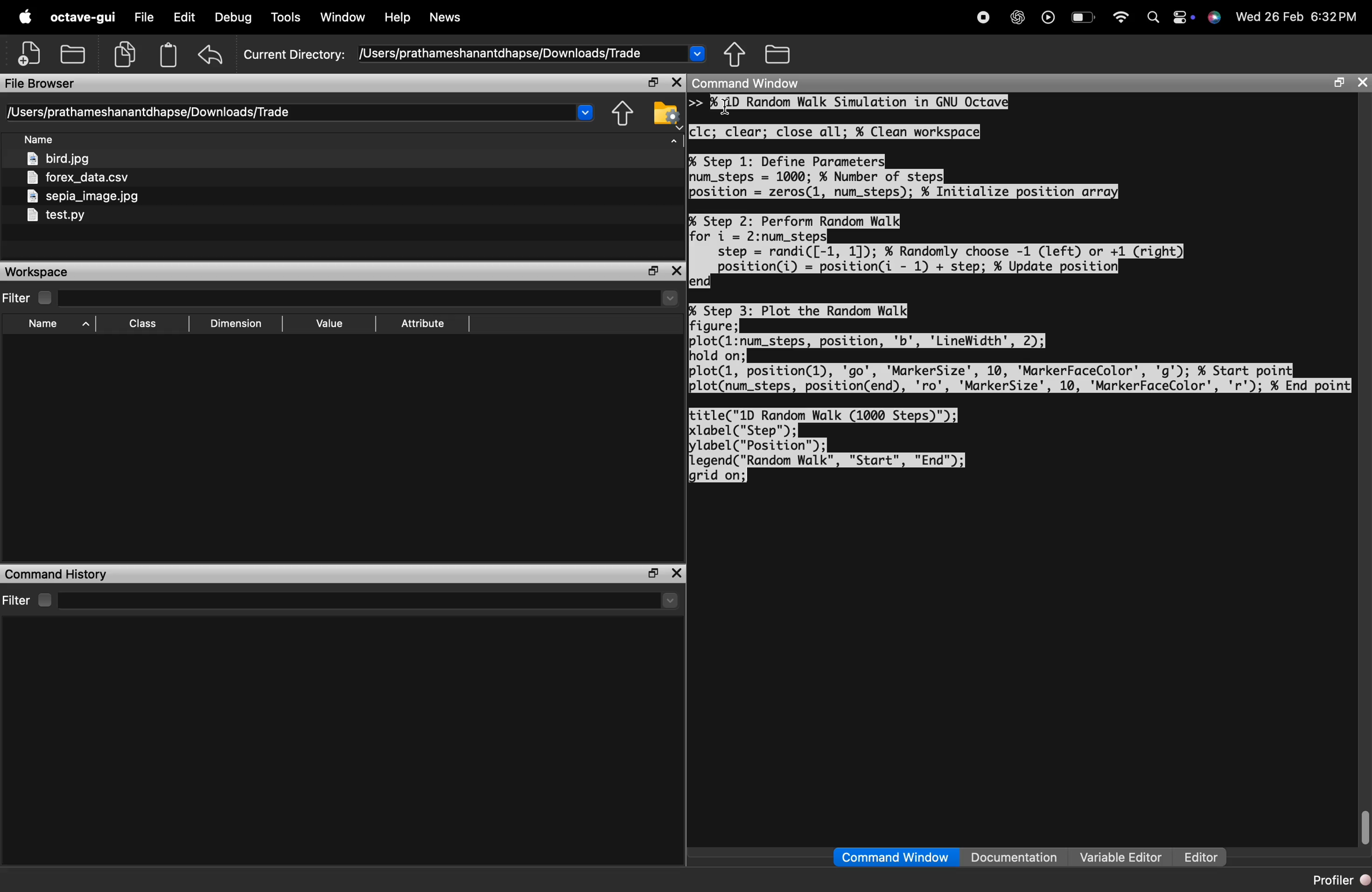  What do you see at coordinates (145, 323) in the screenshot?
I see `sort by class` at bounding box center [145, 323].